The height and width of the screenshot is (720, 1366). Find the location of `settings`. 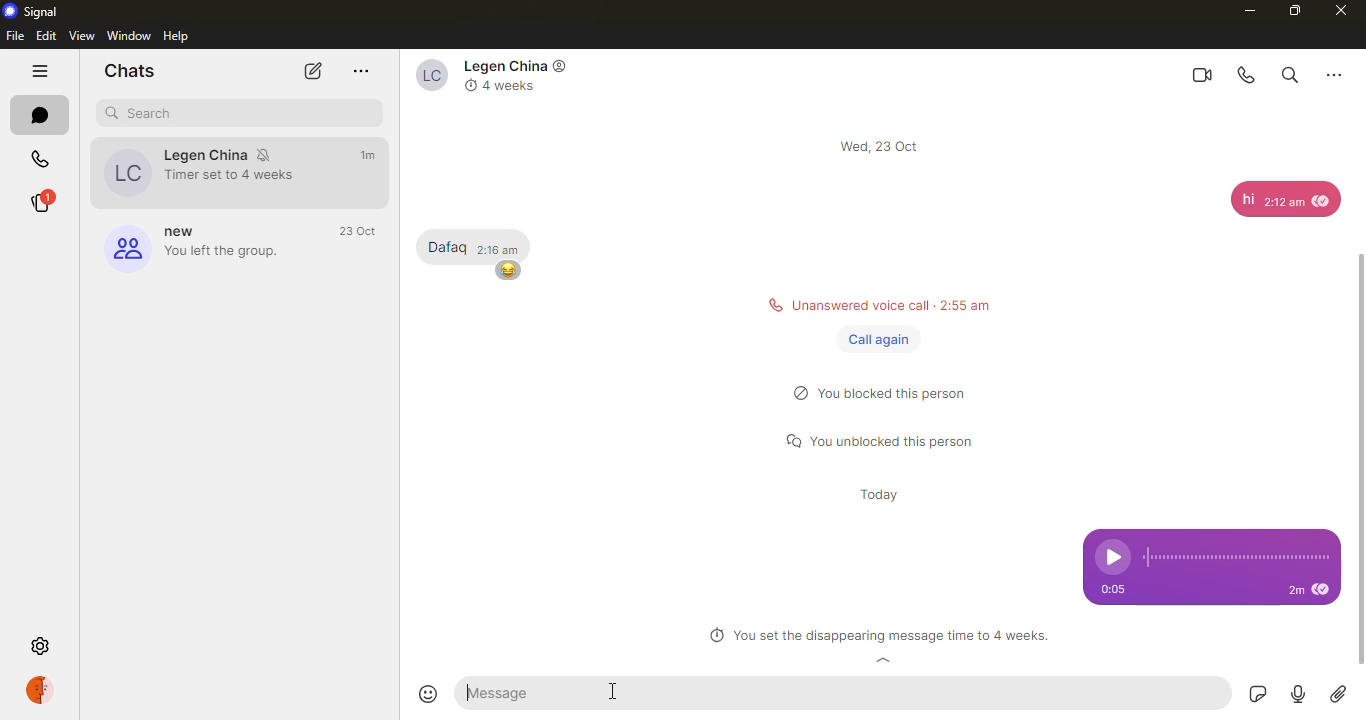

settings is located at coordinates (43, 647).